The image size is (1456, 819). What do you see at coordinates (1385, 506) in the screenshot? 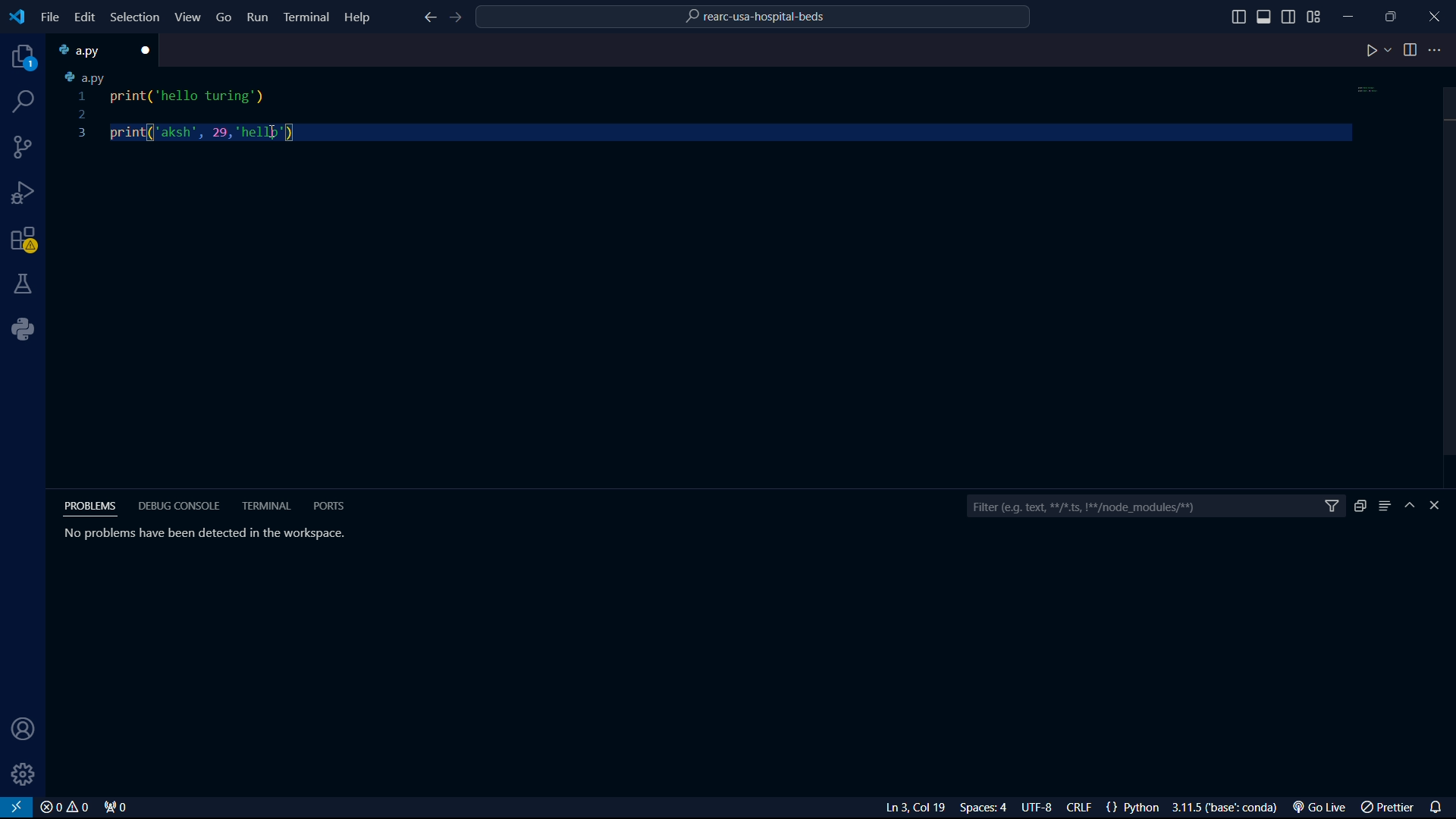
I see `menu` at bounding box center [1385, 506].